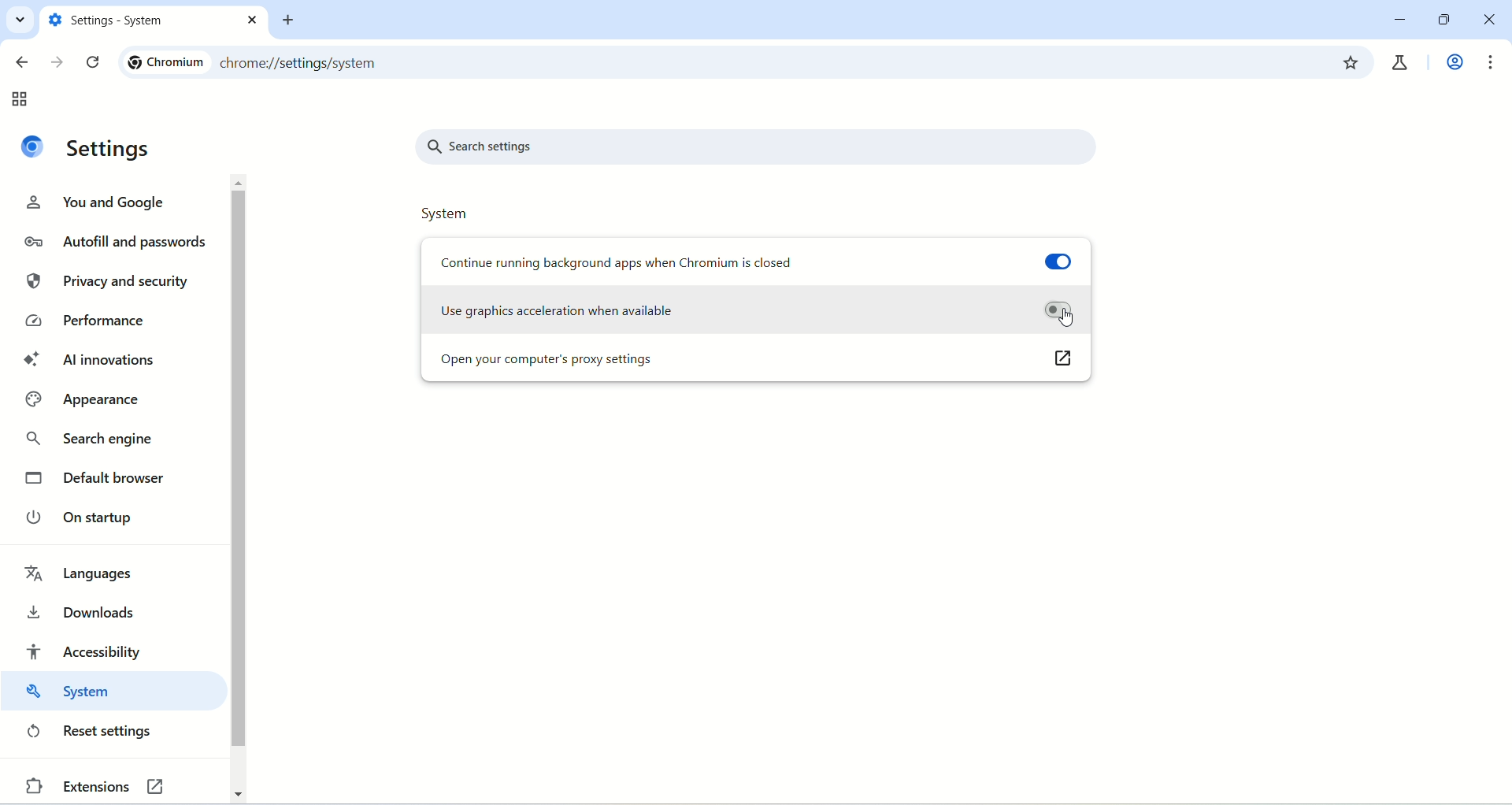 The height and width of the screenshot is (805, 1512). Describe the element at coordinates (170, 785) in the screenshot. I see `link` at that location.